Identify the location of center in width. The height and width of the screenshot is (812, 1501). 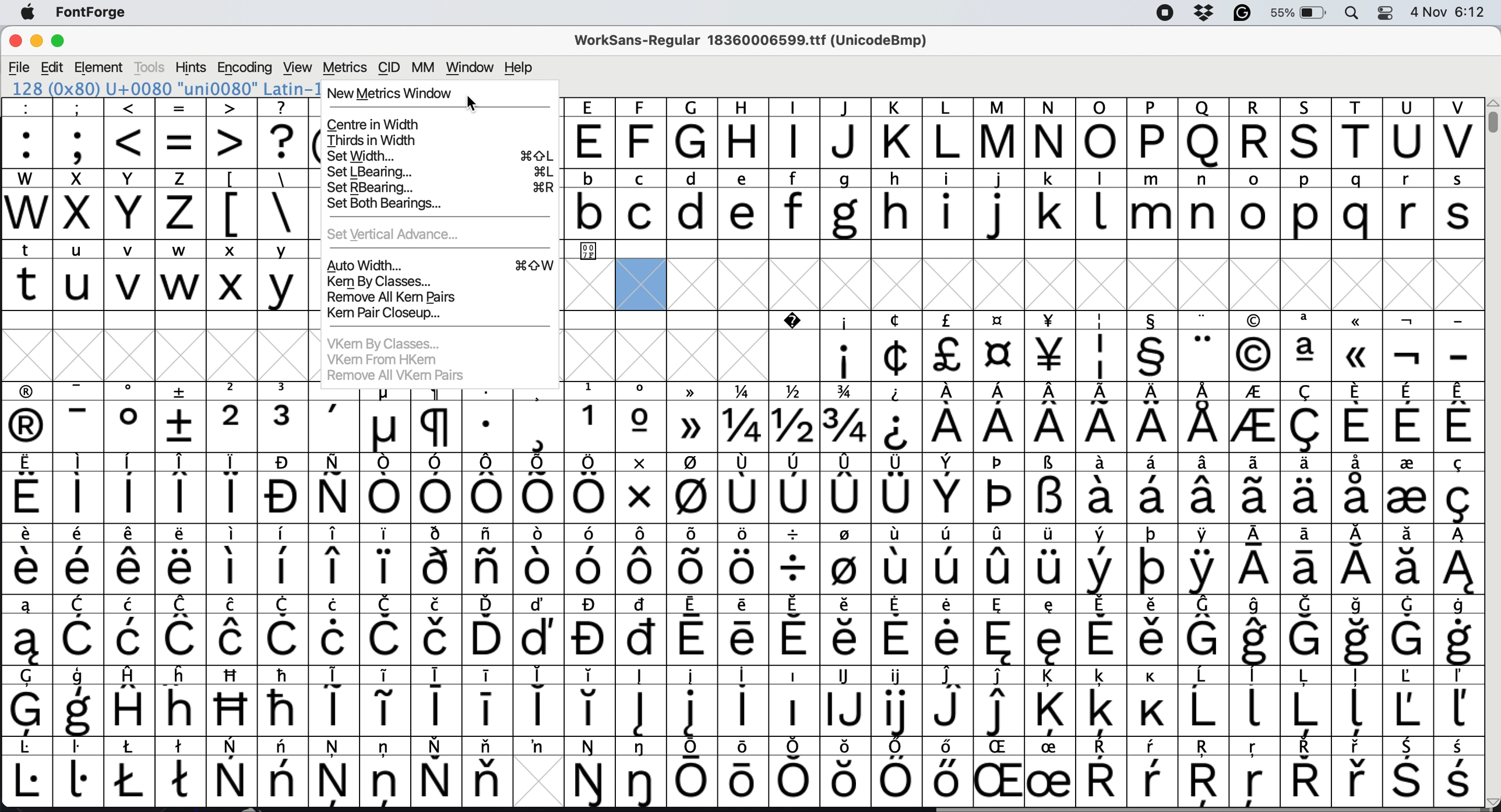
(378, 124).